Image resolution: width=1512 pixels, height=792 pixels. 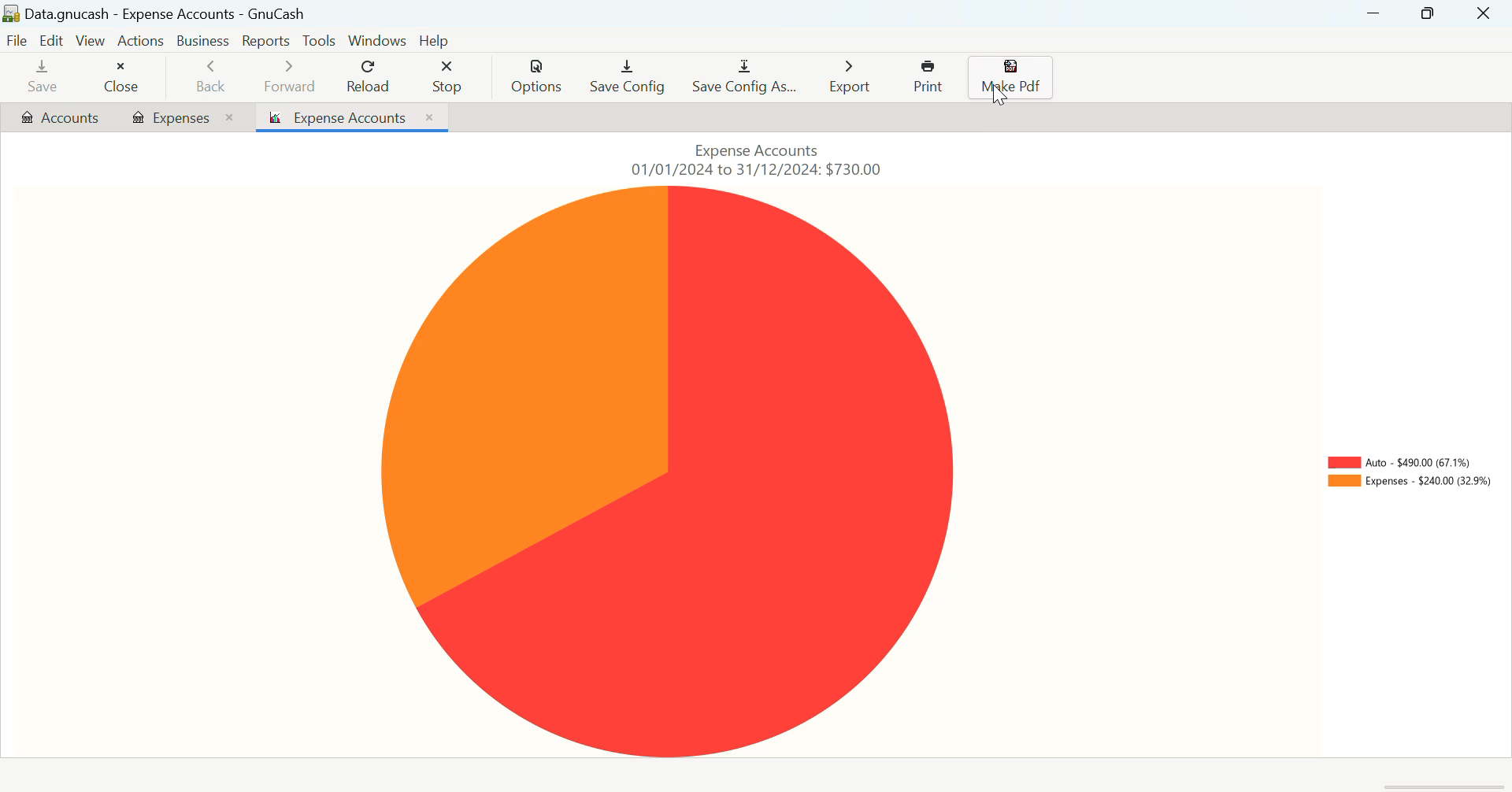 What do you see at coordinates (852, 77) in the screenshot?
I see `Export` at bounding box center [852, 77].